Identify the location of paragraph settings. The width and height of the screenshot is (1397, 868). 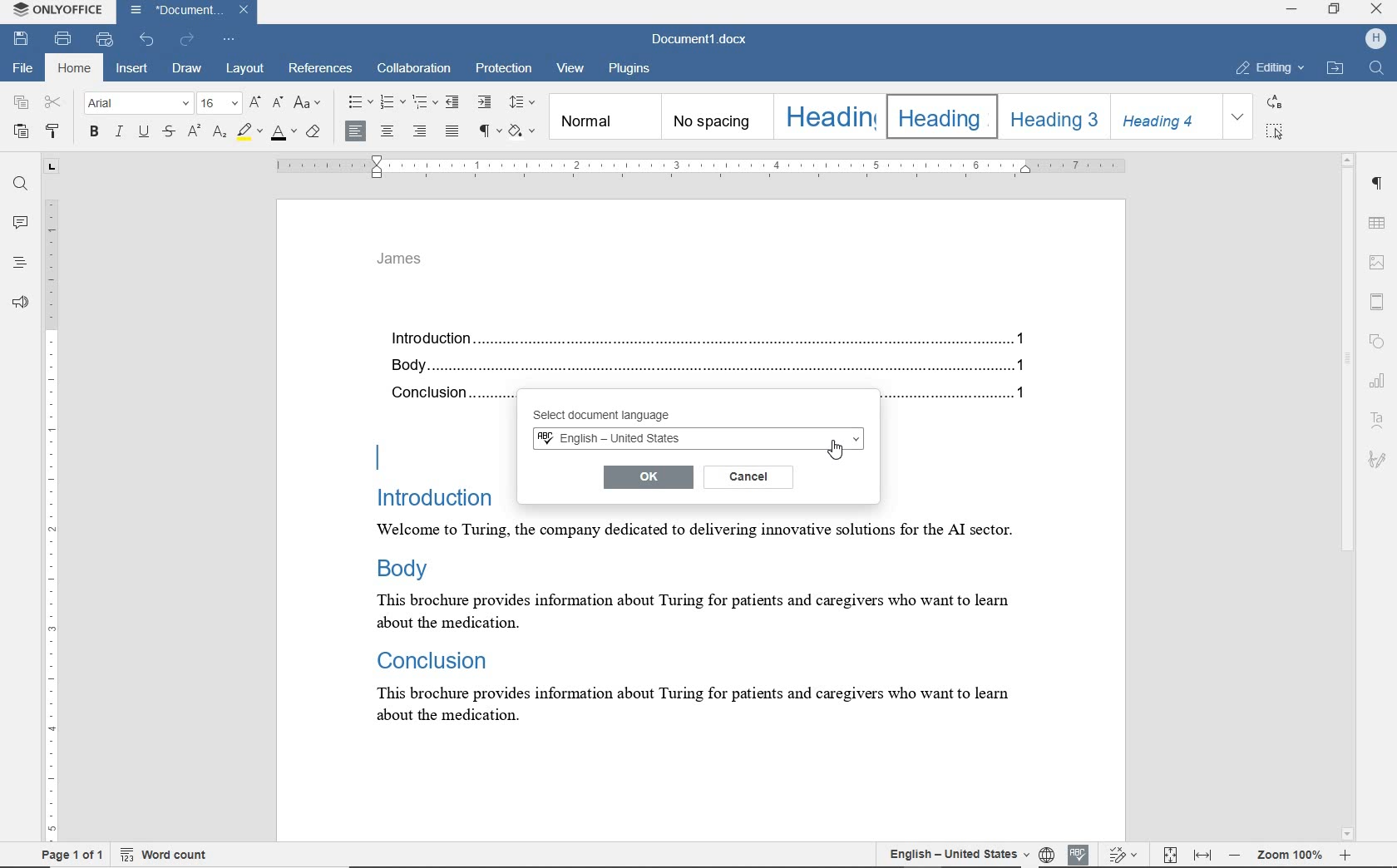
(1379, 186).